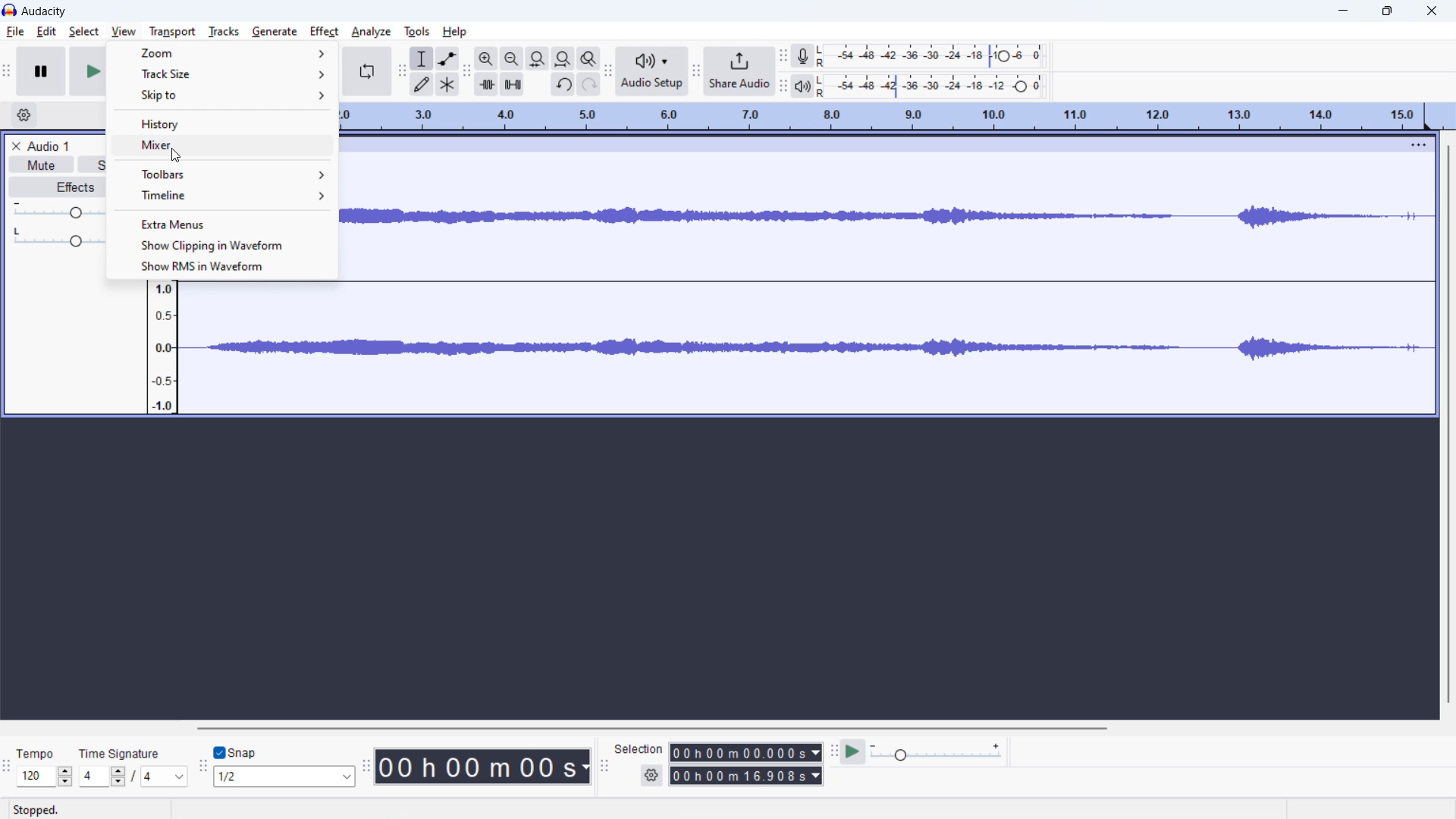  What do you see at coordinates (366, 71) in the screenshot?
I see `enable looping` at bounding box center [366, 71].